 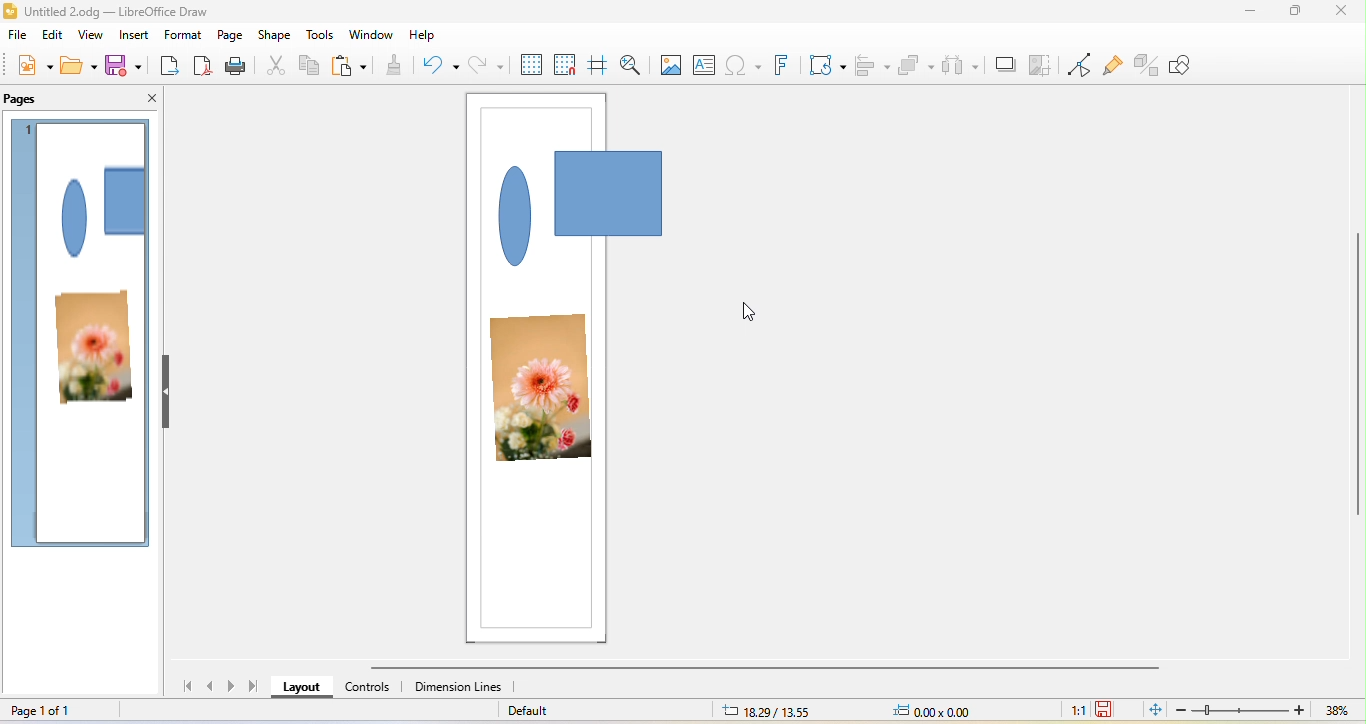 I want to click on Untitled 2.odg - LibreOffice Draw, so click(x=119, y=11).